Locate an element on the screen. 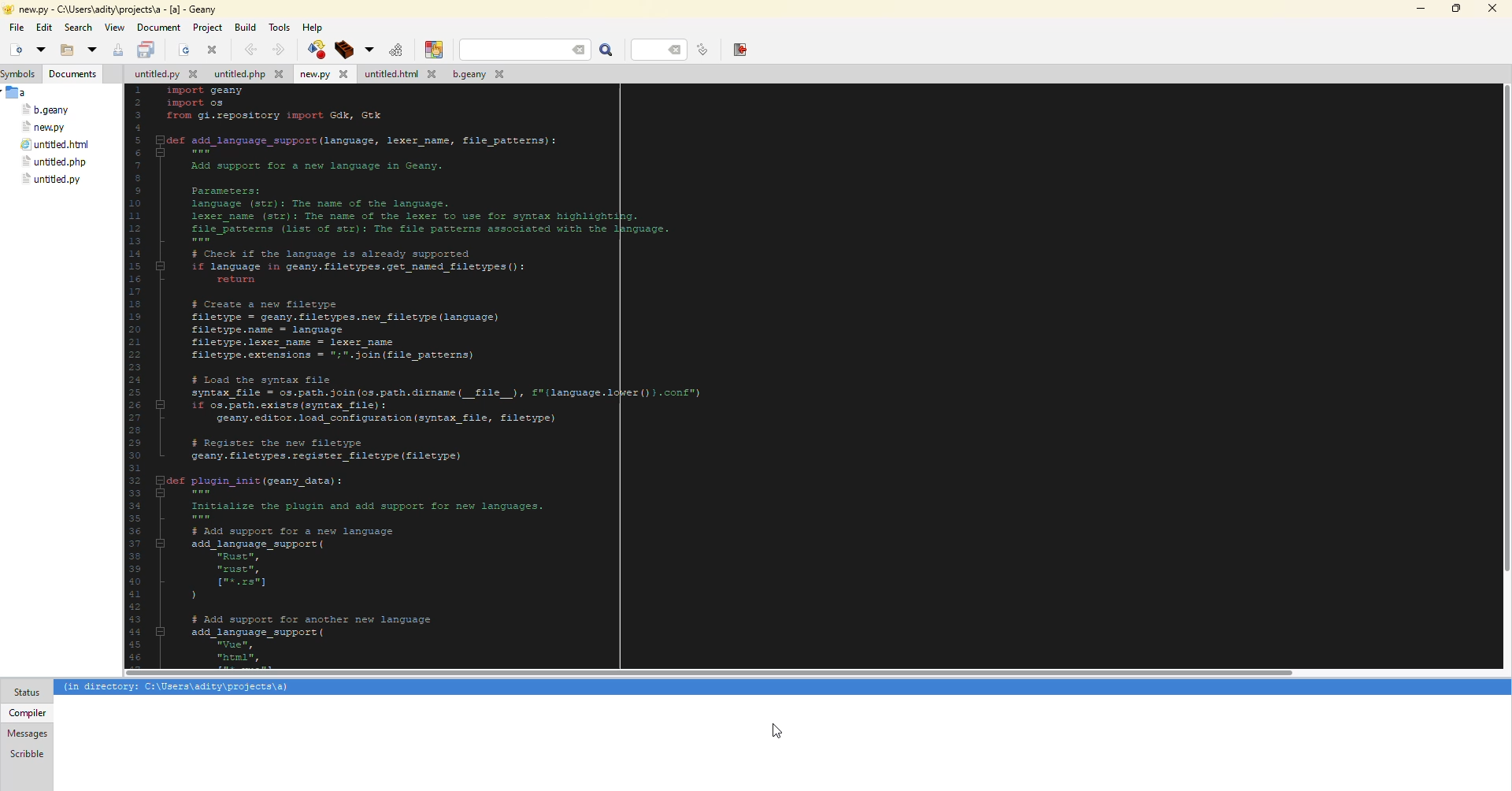 This screenshot has width=1512, height=791. project is located at coordinates (207, 28).